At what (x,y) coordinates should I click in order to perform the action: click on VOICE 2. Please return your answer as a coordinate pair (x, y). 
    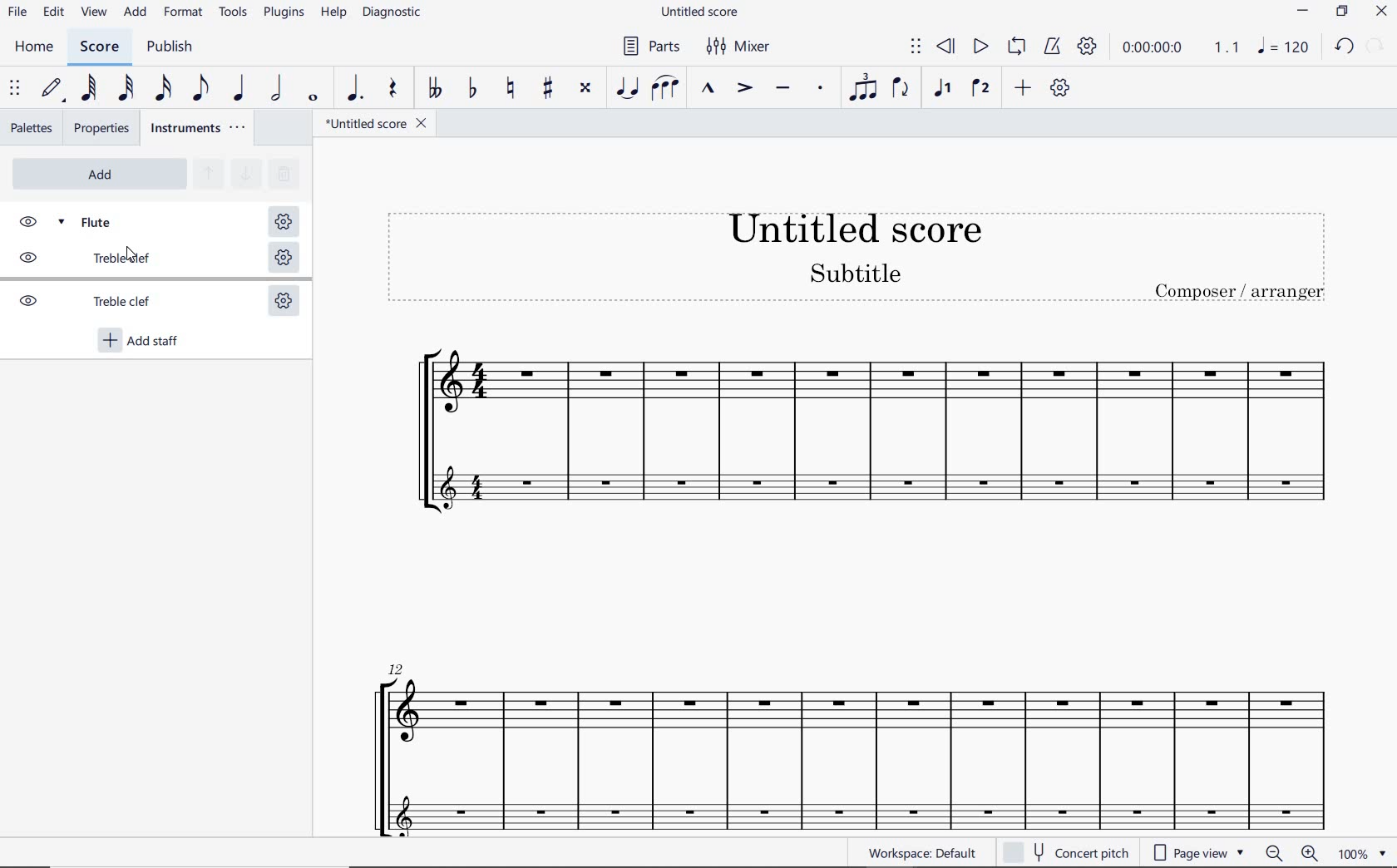
    Looking at the image, I should click on (980, 89).